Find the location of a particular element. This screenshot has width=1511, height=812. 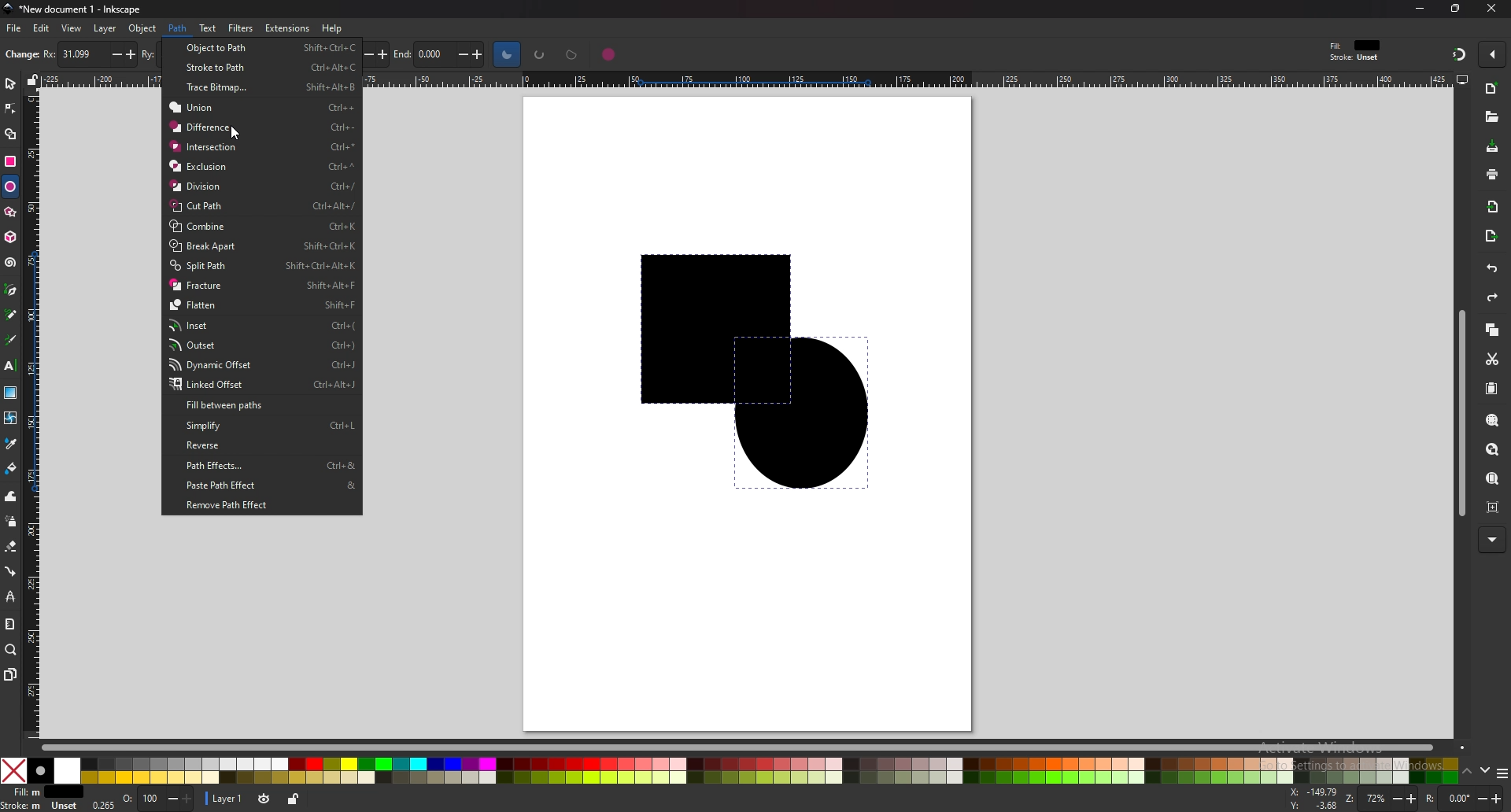

shape builder is located at coordinates (9, 135).